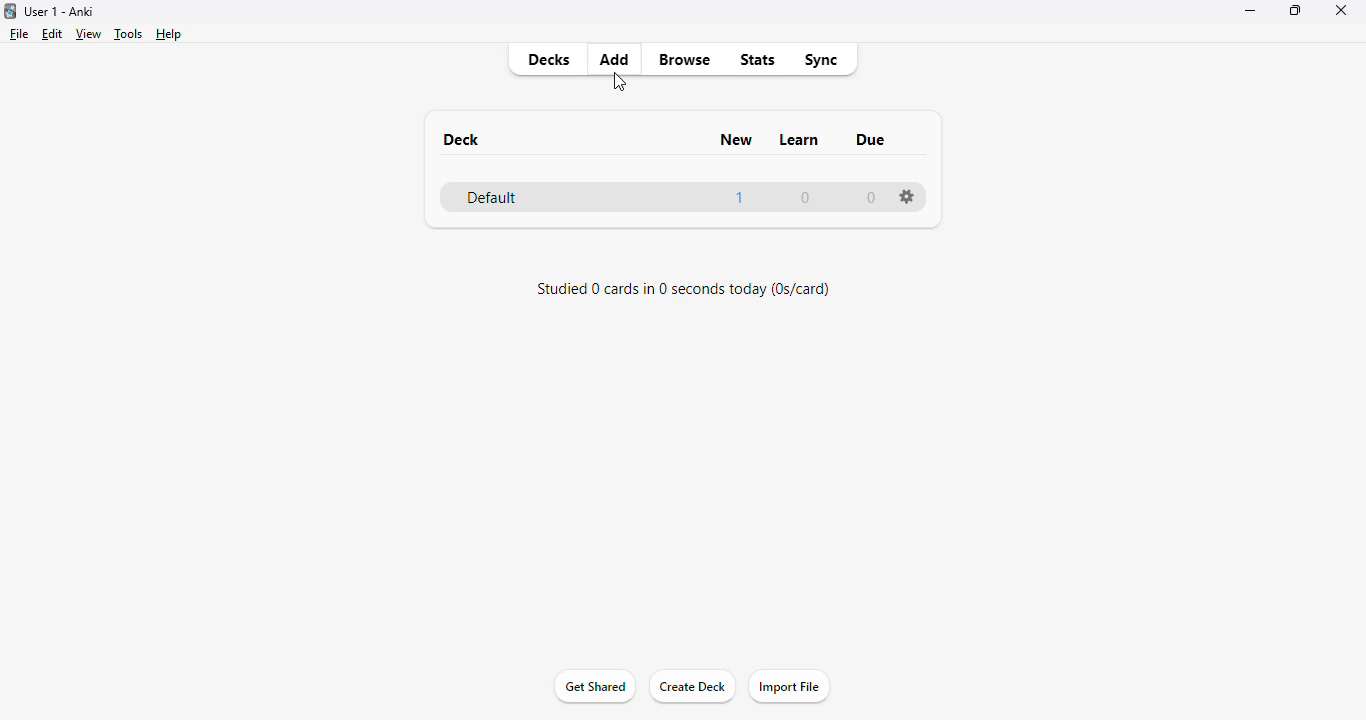 The width and height of the screenshot is (1366, 720). I want to click on import file, so click(788, 687).